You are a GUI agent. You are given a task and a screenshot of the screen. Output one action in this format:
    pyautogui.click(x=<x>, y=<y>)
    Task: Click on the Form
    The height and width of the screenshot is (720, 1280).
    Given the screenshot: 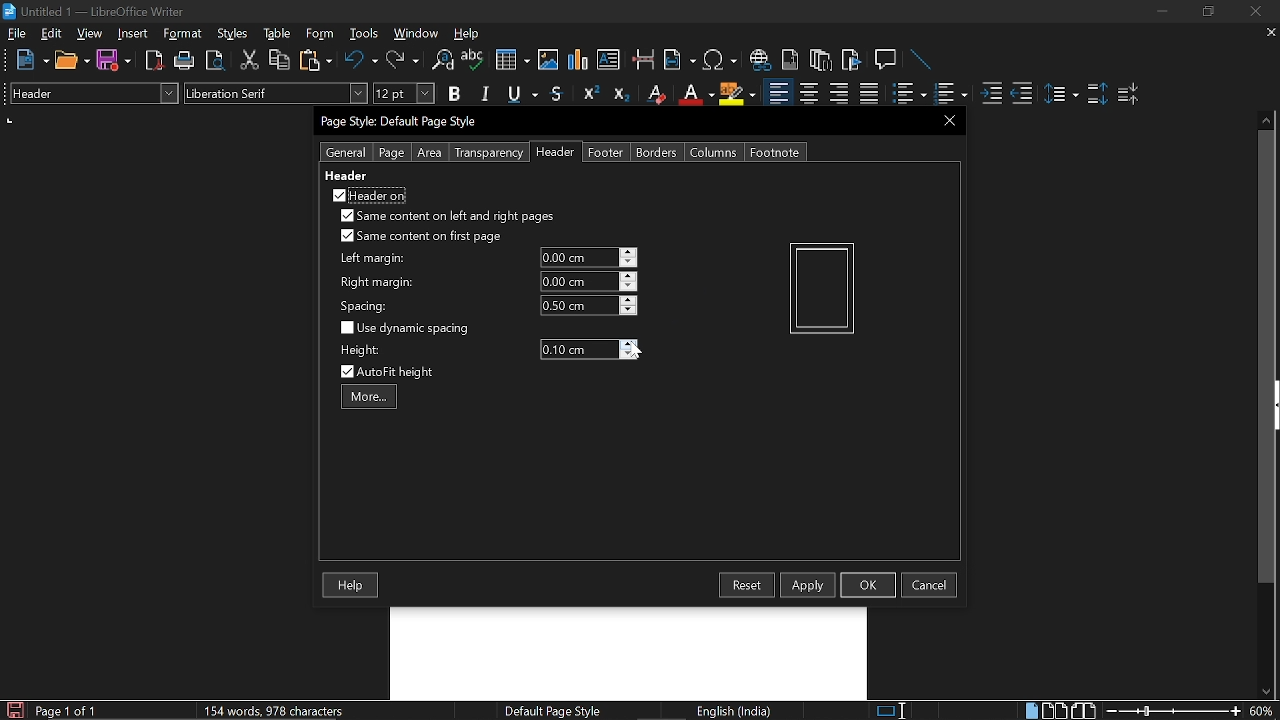 What is the action you would take?
    pyautogui.click(x=321, y=34)
    